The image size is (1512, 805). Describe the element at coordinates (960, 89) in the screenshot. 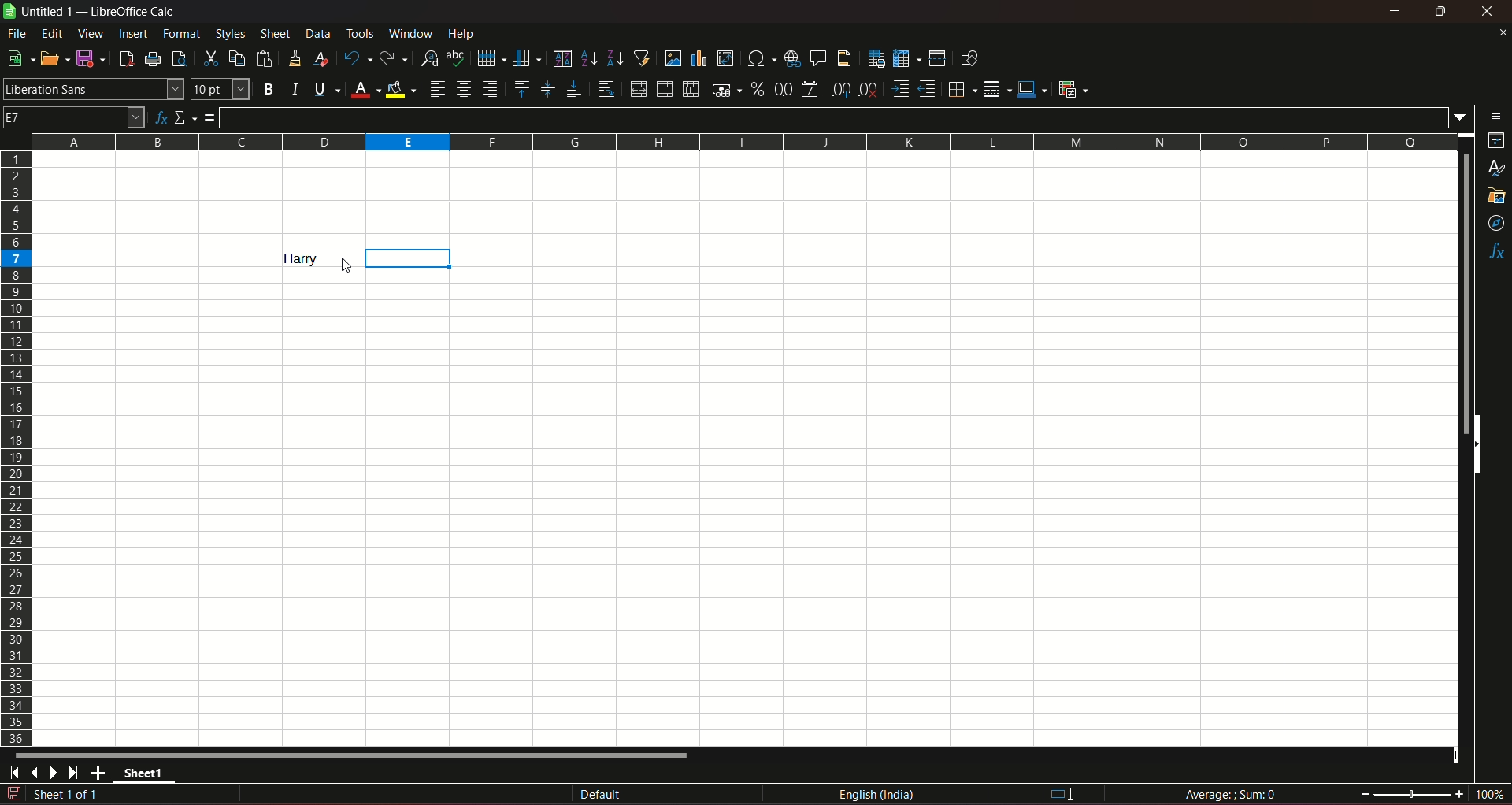

I see `borders` at that location.